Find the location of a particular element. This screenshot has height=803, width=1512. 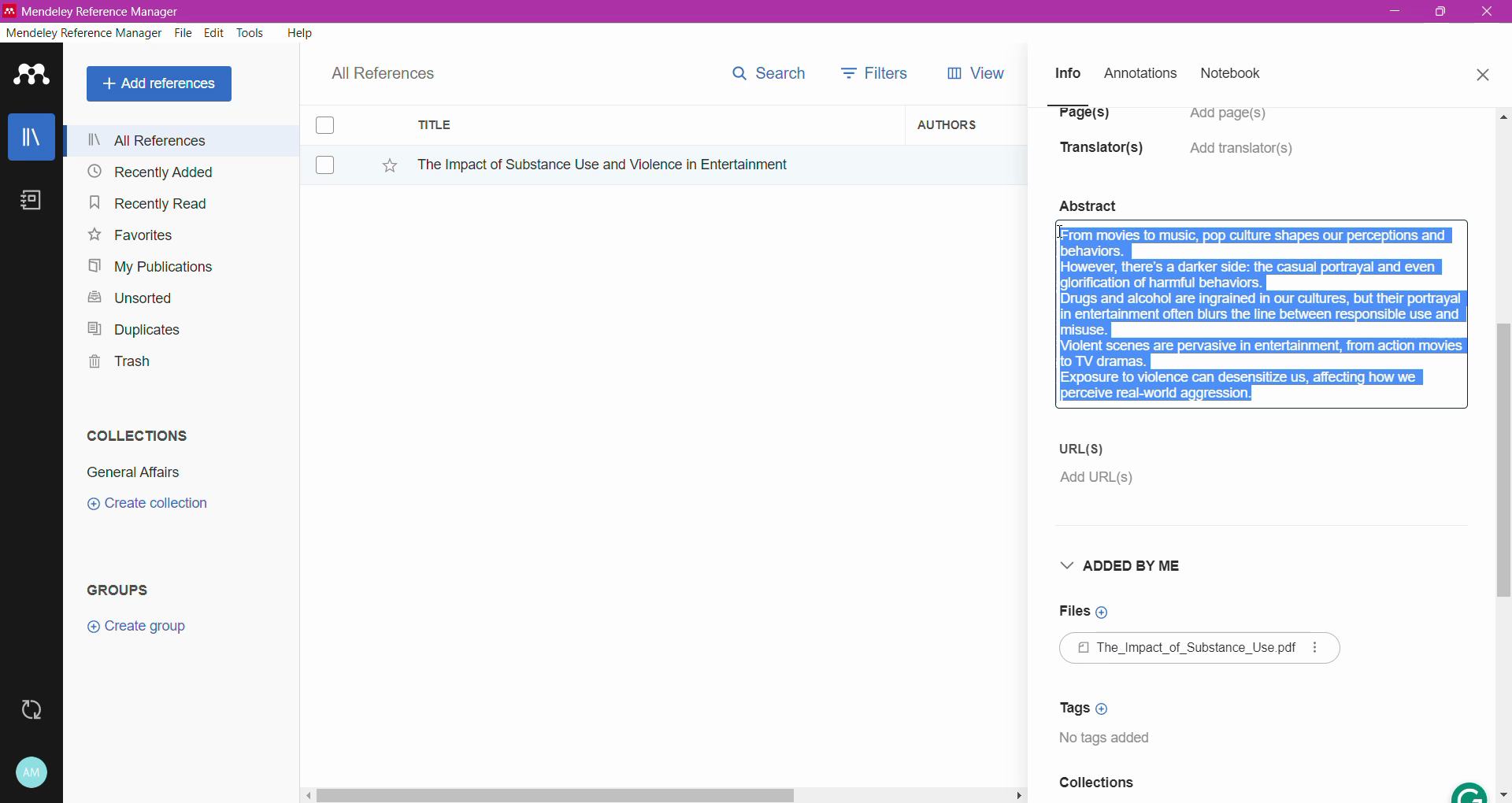

Click to Add URL(s) is located at coordinates (1095, 481).